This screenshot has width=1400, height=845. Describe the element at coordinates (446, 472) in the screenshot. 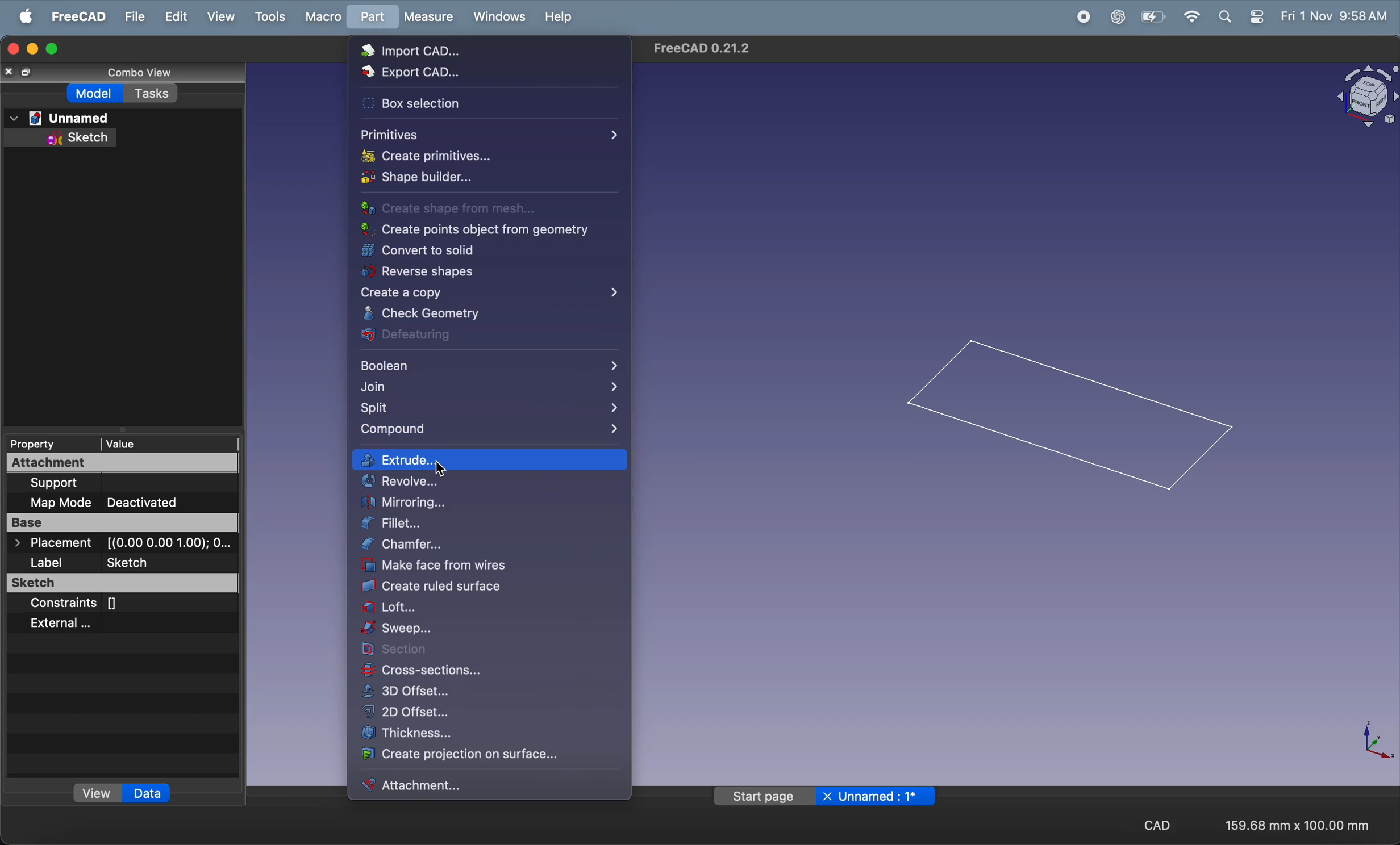

I see `Cursor` at that location.